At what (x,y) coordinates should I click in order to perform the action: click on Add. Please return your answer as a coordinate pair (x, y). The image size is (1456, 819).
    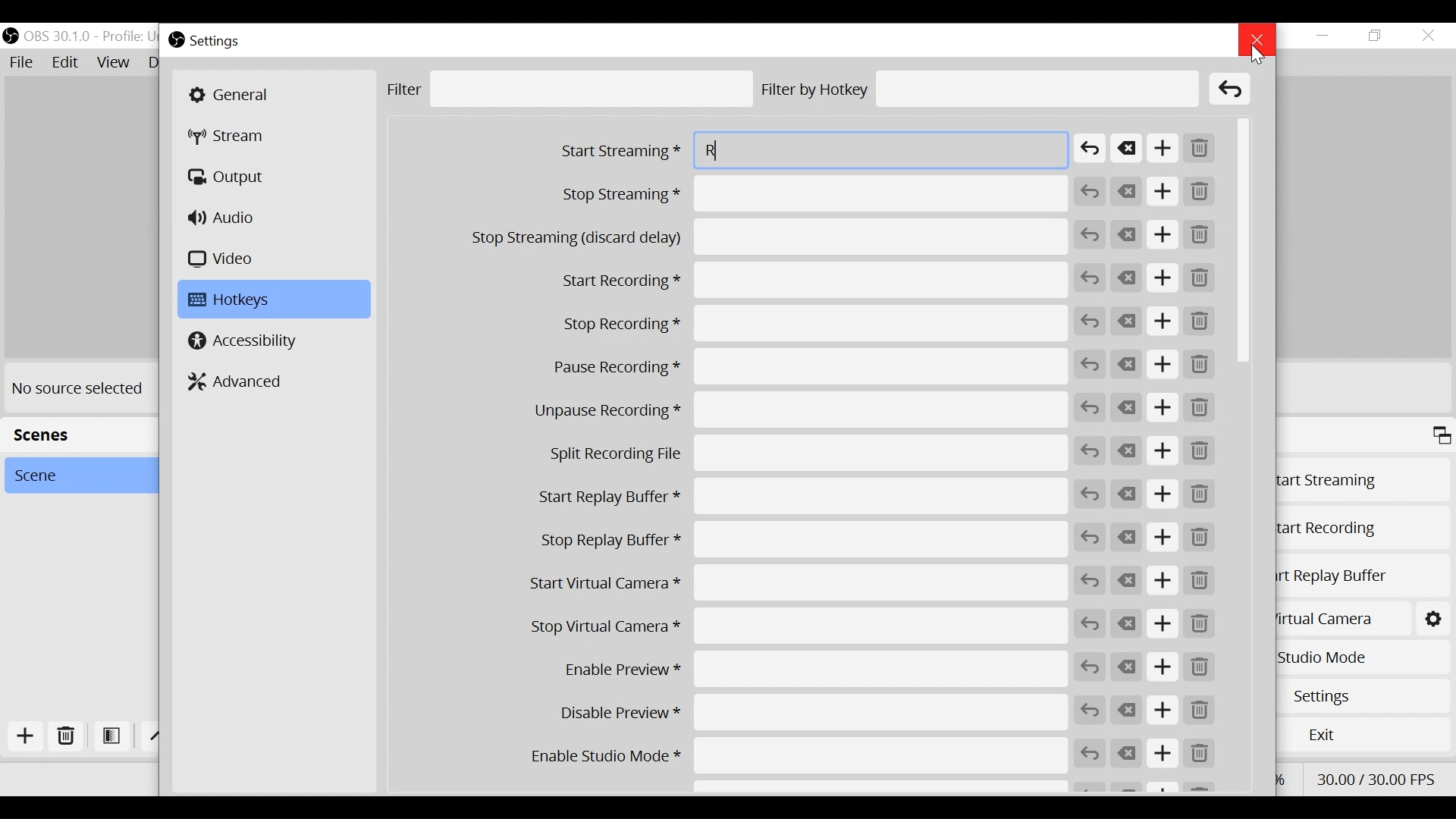
    Looking at the image, I should click on (1166, 711).